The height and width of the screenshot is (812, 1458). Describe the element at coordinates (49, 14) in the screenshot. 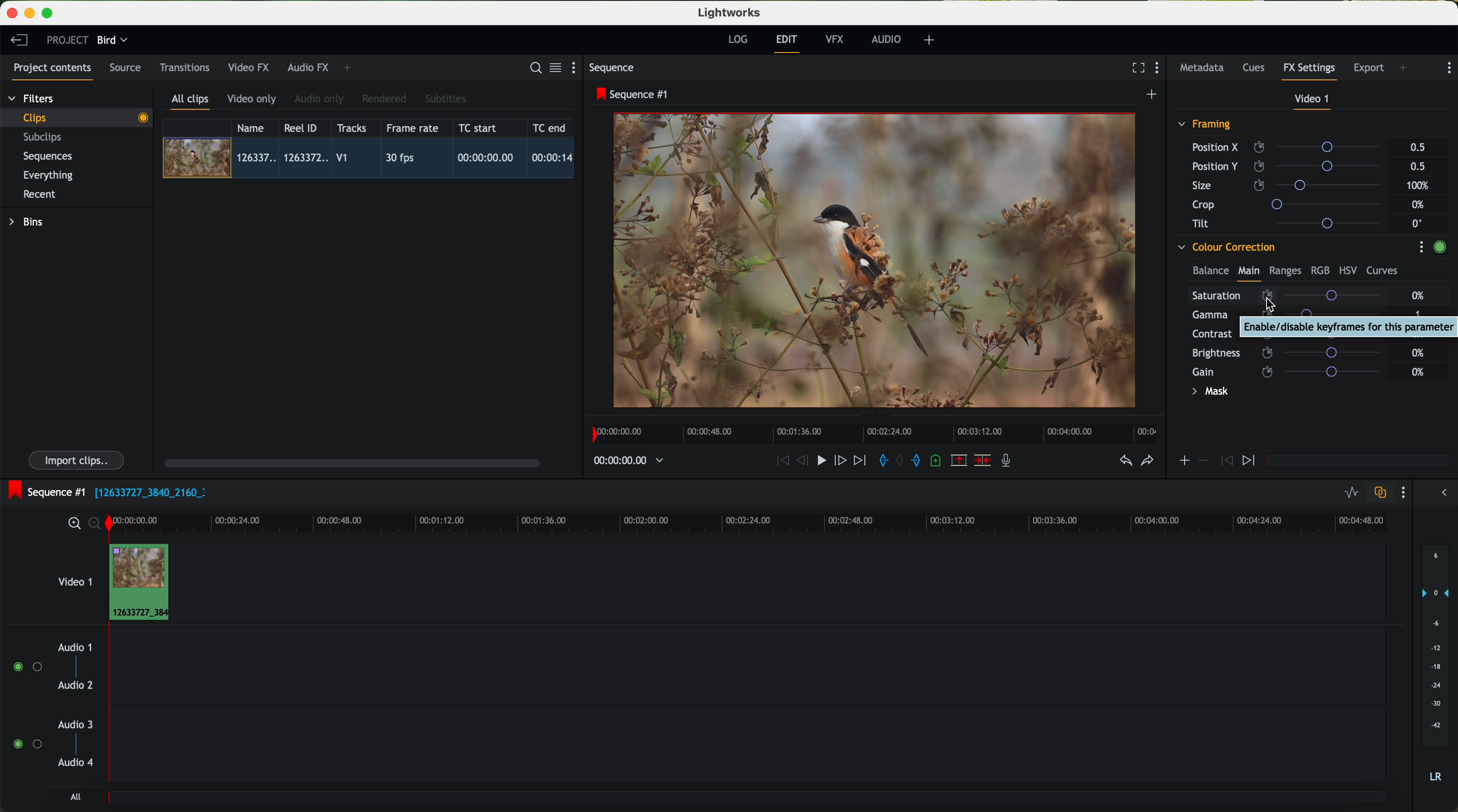

I see `maximize program` at that location.